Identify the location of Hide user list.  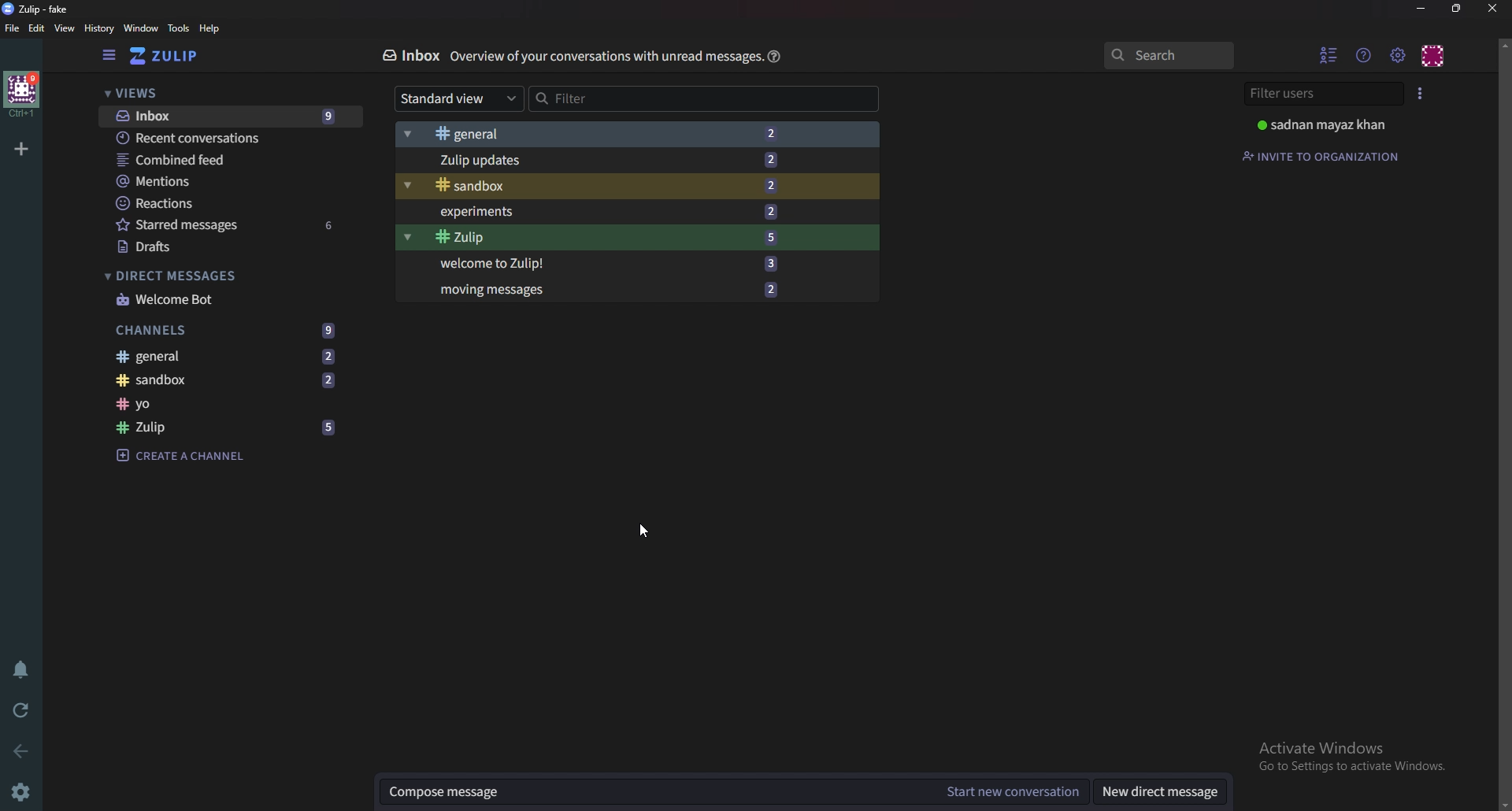
(1329, 55).